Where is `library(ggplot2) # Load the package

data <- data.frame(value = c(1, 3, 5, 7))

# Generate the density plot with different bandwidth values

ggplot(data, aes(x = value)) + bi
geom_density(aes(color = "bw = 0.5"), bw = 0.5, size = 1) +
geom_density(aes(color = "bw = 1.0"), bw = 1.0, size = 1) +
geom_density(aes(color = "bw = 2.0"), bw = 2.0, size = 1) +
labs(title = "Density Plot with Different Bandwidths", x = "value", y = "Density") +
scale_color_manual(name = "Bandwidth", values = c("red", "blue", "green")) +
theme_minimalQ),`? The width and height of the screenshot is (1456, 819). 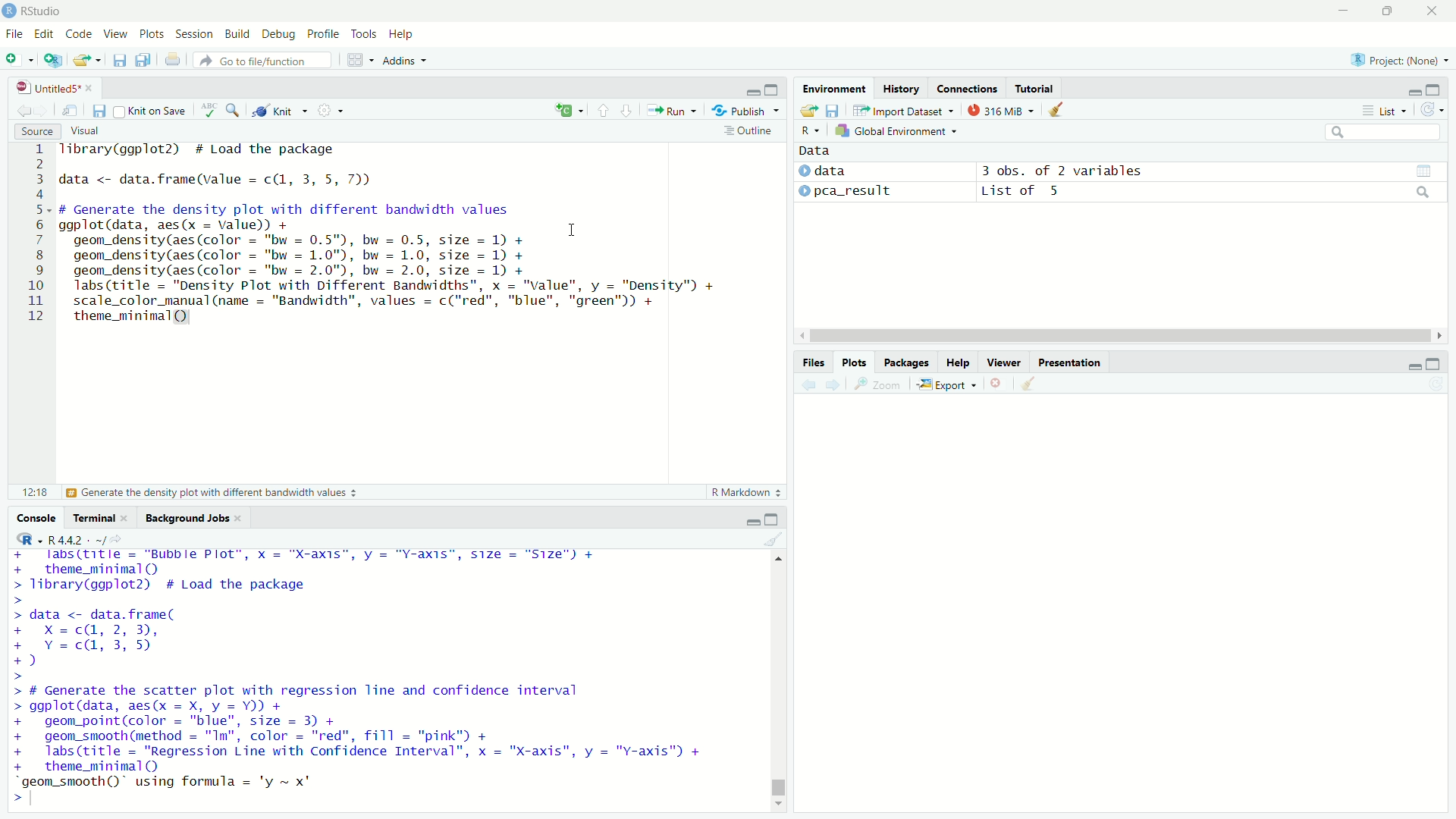
library(ggplot2) # Load the package

data <- data.frame(value = c(1, 3, 5, 7))

# Generate the density plot with different bandwidth values

ggplot(data, aes(x = value)) + bi
geom_density(aes(color = "bw = 0.5"), bw = 0.5, size = 1) +
geom_density(aes(color = "bw = 1.0"), bw = 1.0, size = 1) +
geom_density(aes(color = "bw = 2.0"), bw = 2.0, size = 1) +
labs(title = "Density Plot with Different Bandwidths", x = "value", y = "Density") +
scale_color_manual(name = "Bandwidth", values = c("red", "blue", "green")) +
theme_minimalQ), is located at coordinates (391, 235).